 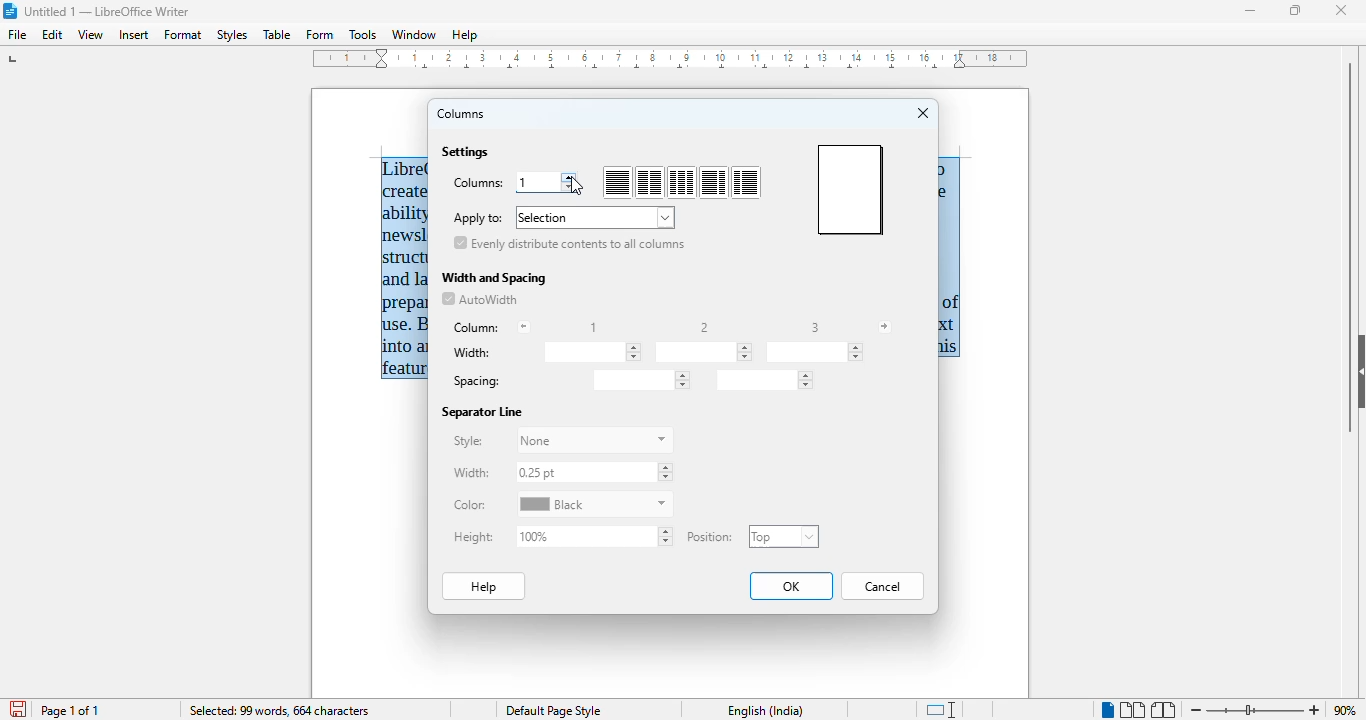 I want to click on table, so click(x=277, y=34).